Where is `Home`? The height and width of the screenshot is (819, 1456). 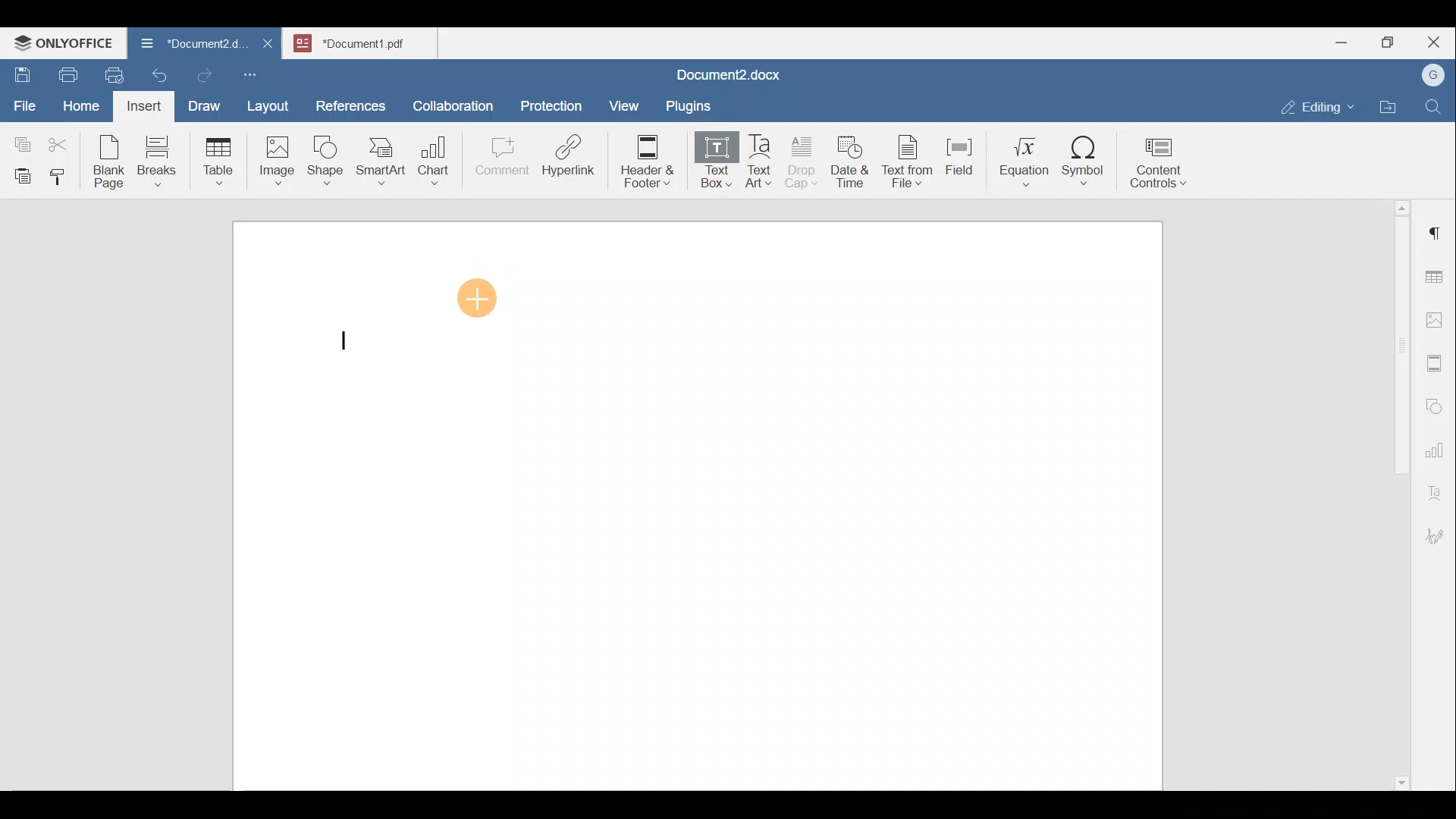 Home is located at coordinates (82, 105).